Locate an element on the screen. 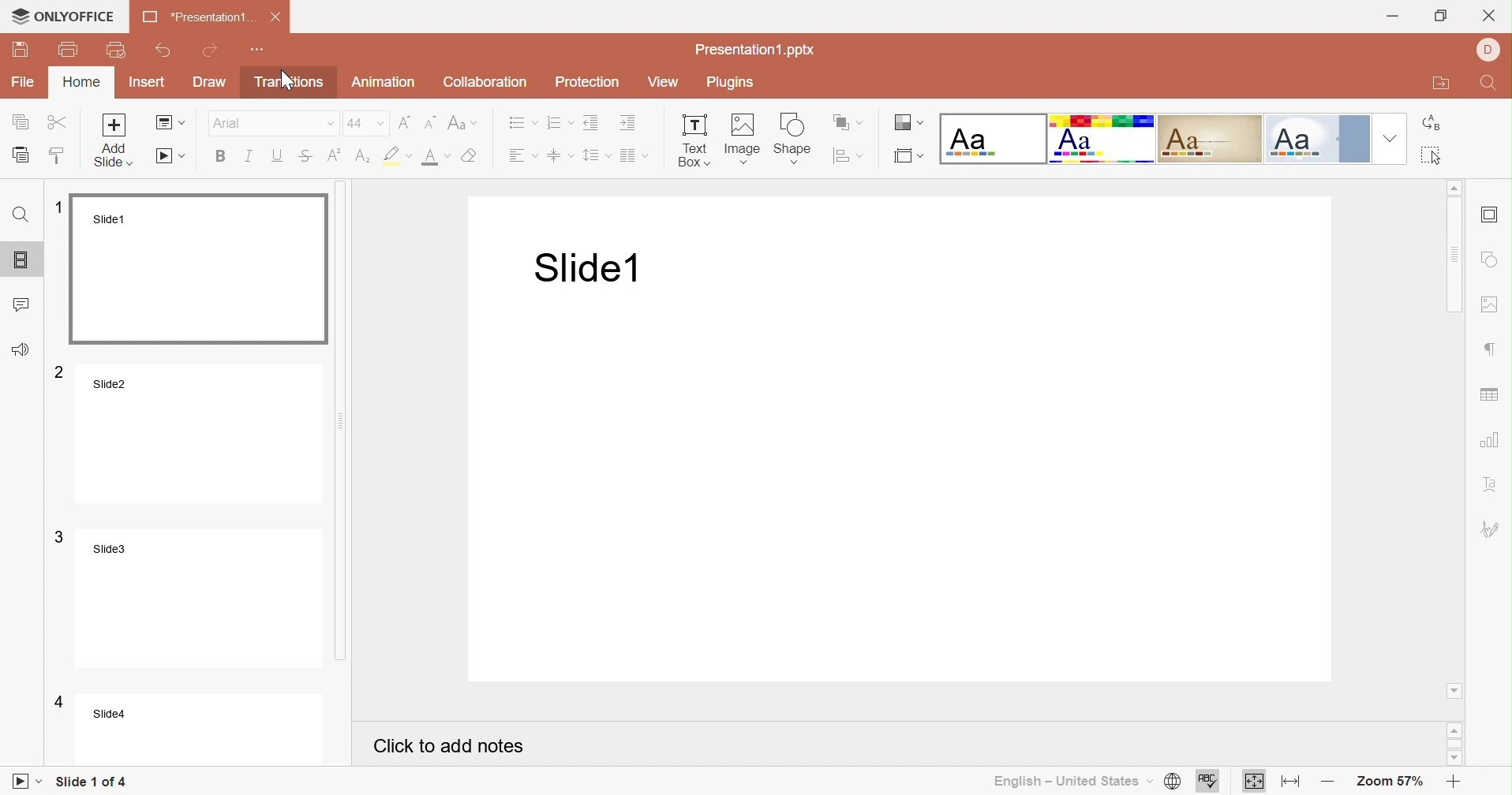 Image resolution: width=1512 pixels, height=795 pixels. Slide1 is located at coordinates (202, 269).